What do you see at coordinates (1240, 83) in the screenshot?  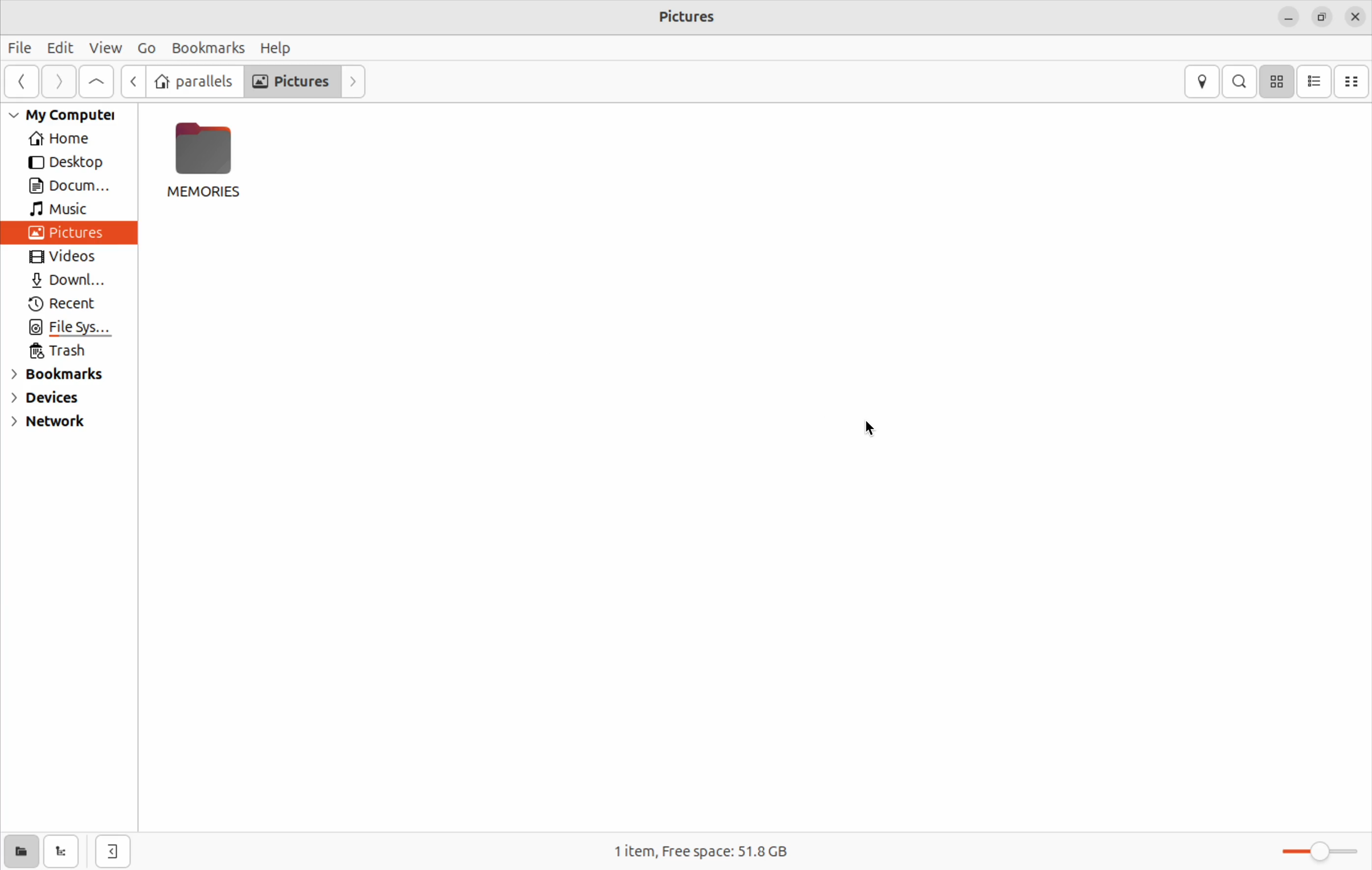 I see `search` at bounding box center [1240, 83].